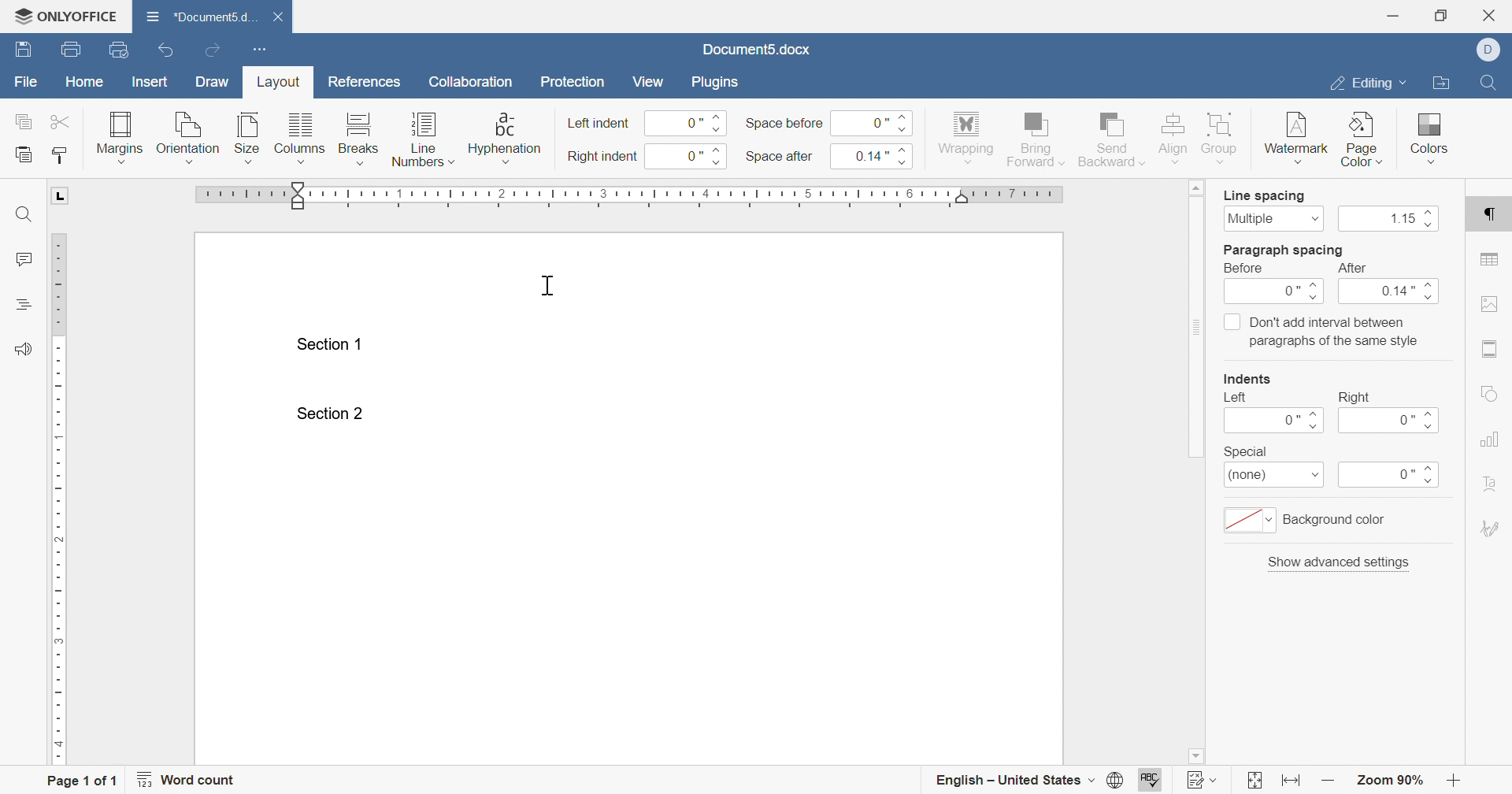  I want to click on 0, so click(689, 123).